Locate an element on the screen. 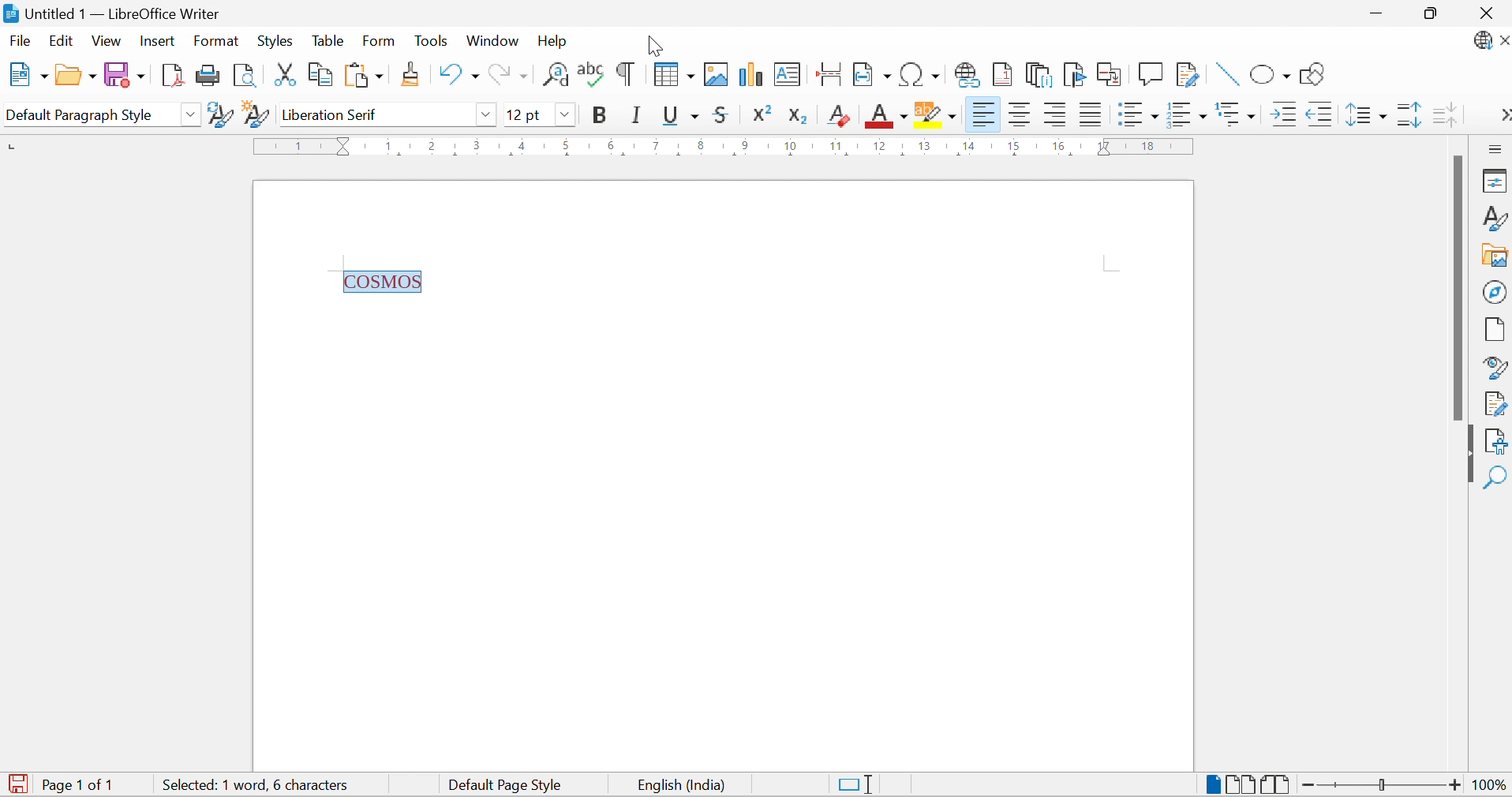 This screenshot has width=1512, height=797. 1 is located at coordinates (301, 146).